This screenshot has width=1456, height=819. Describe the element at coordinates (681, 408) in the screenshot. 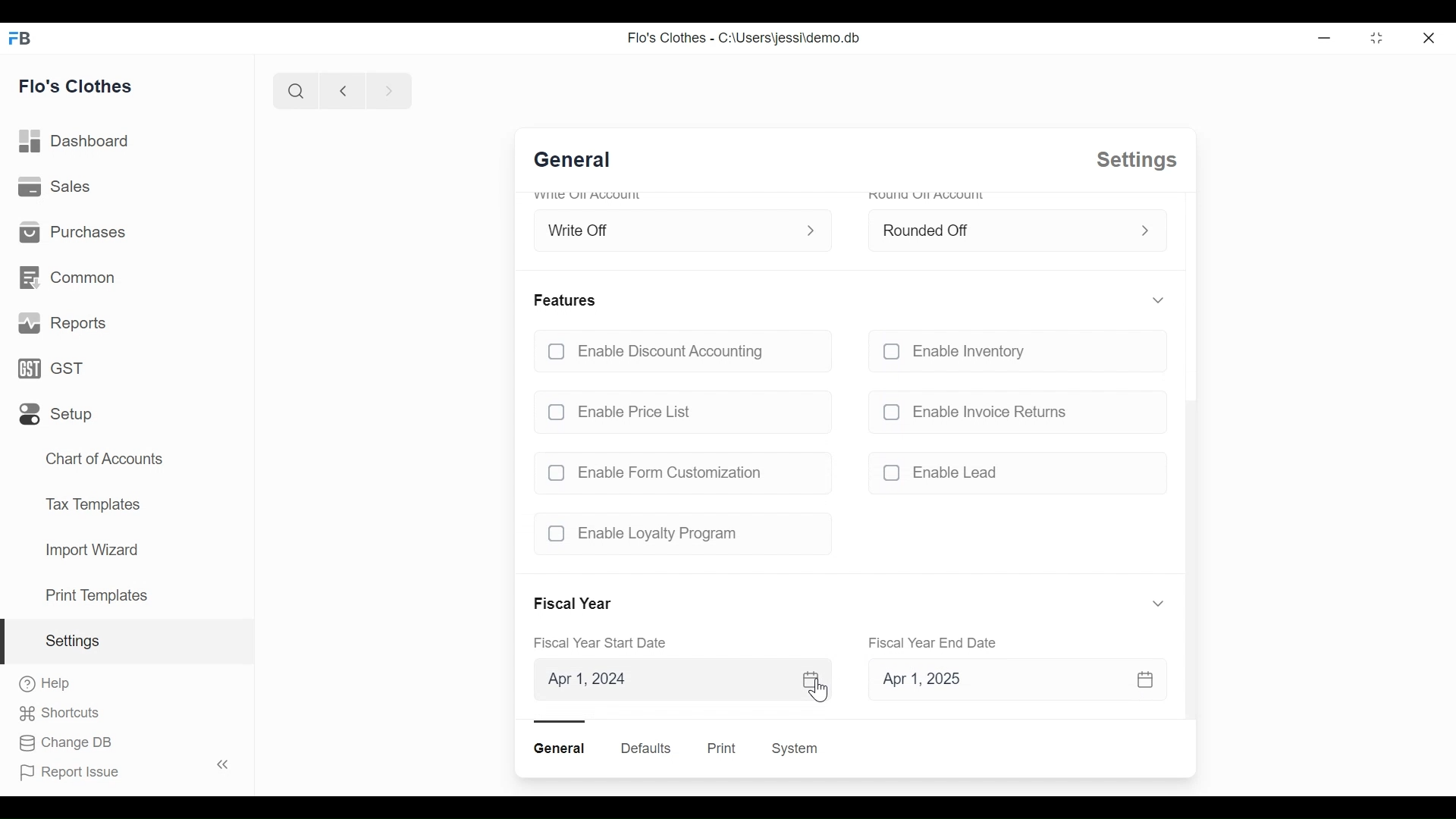

I see `unchecked Enable Price List` at that location.